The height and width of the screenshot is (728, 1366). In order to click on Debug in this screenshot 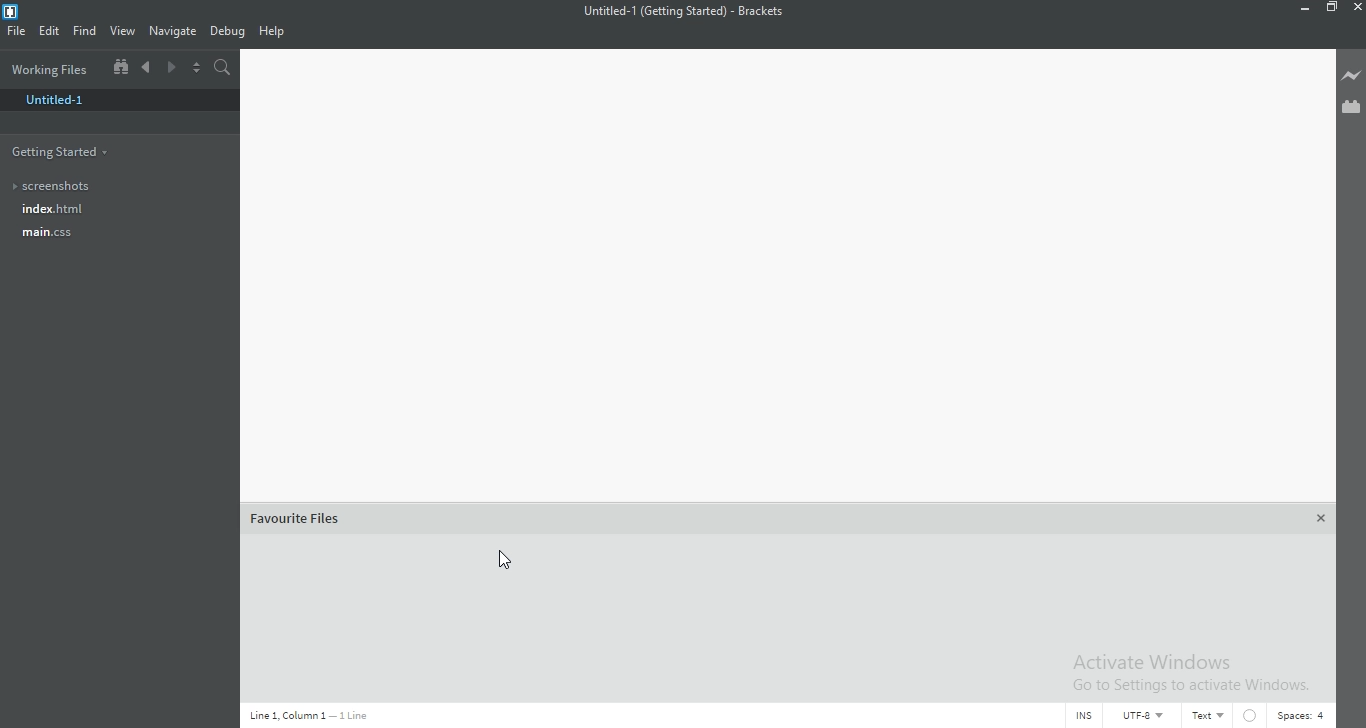, I will do `click(231, 32)`.